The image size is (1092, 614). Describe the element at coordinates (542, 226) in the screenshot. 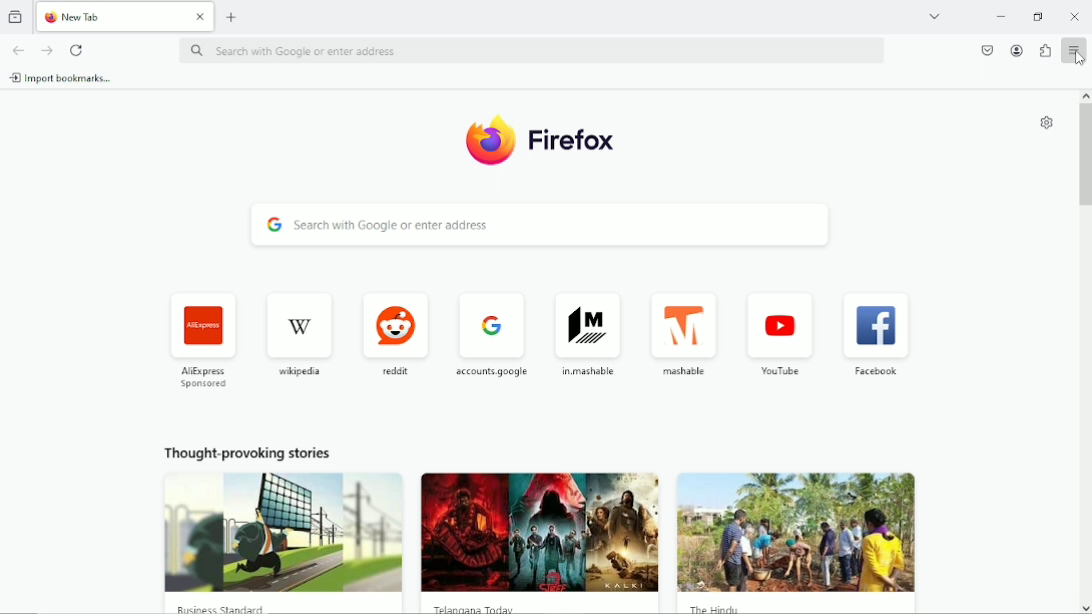

I see `search bar` at that location.